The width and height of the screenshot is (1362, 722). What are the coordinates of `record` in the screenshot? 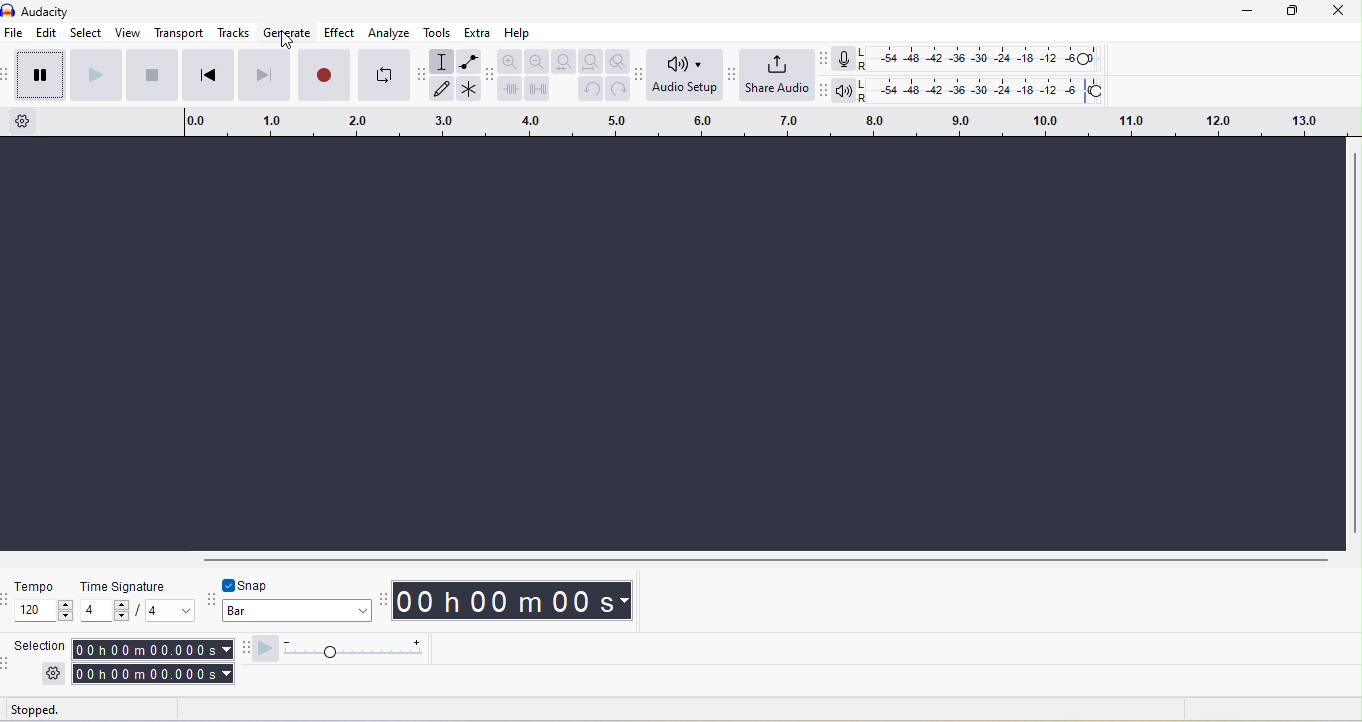 It's located at (323, 75).